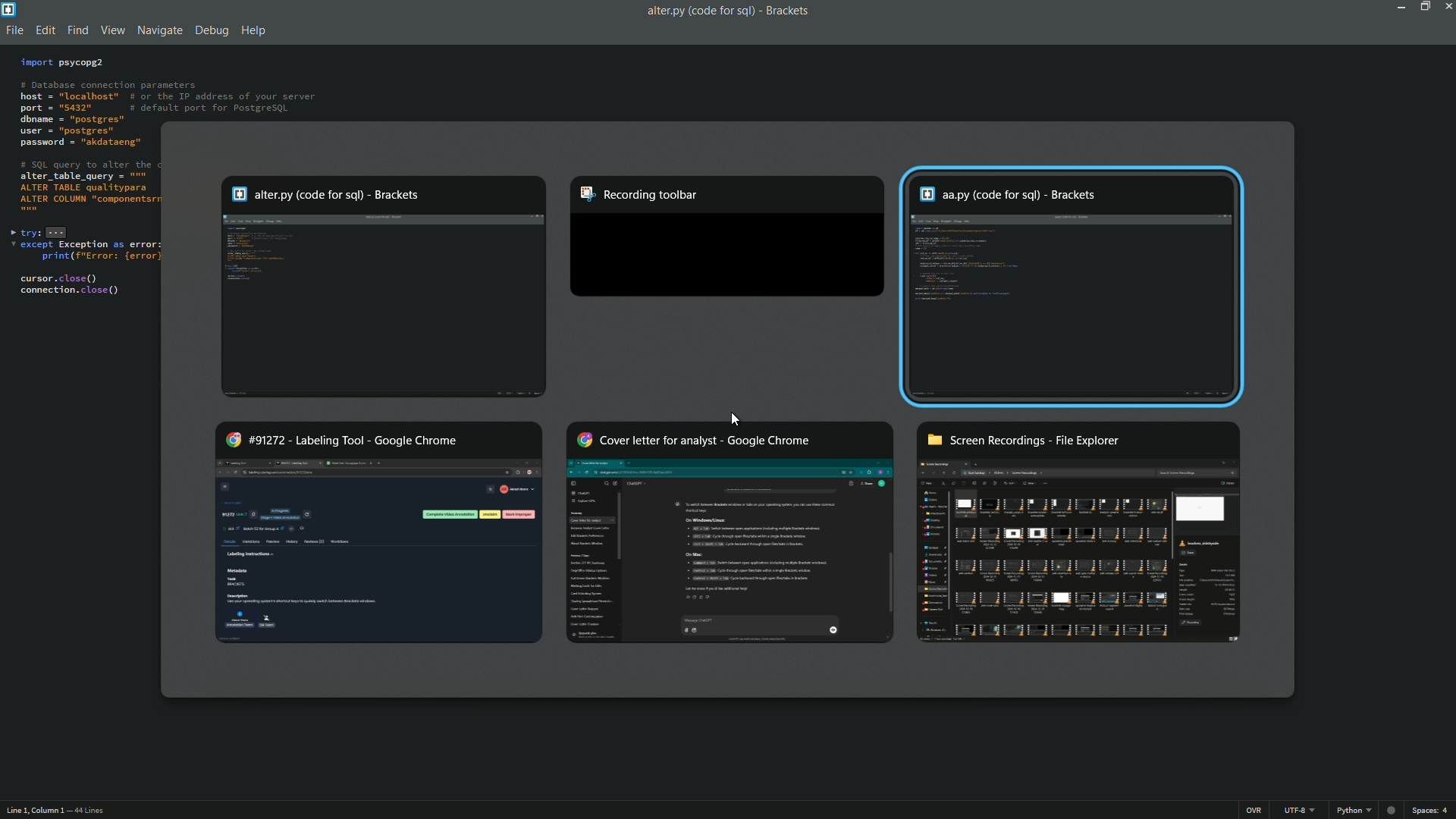 The image size is (1456, 819). What do you see at coordinates (76, 32) in the screenshot?
I see `find menu` at bounding box center [76, 32].